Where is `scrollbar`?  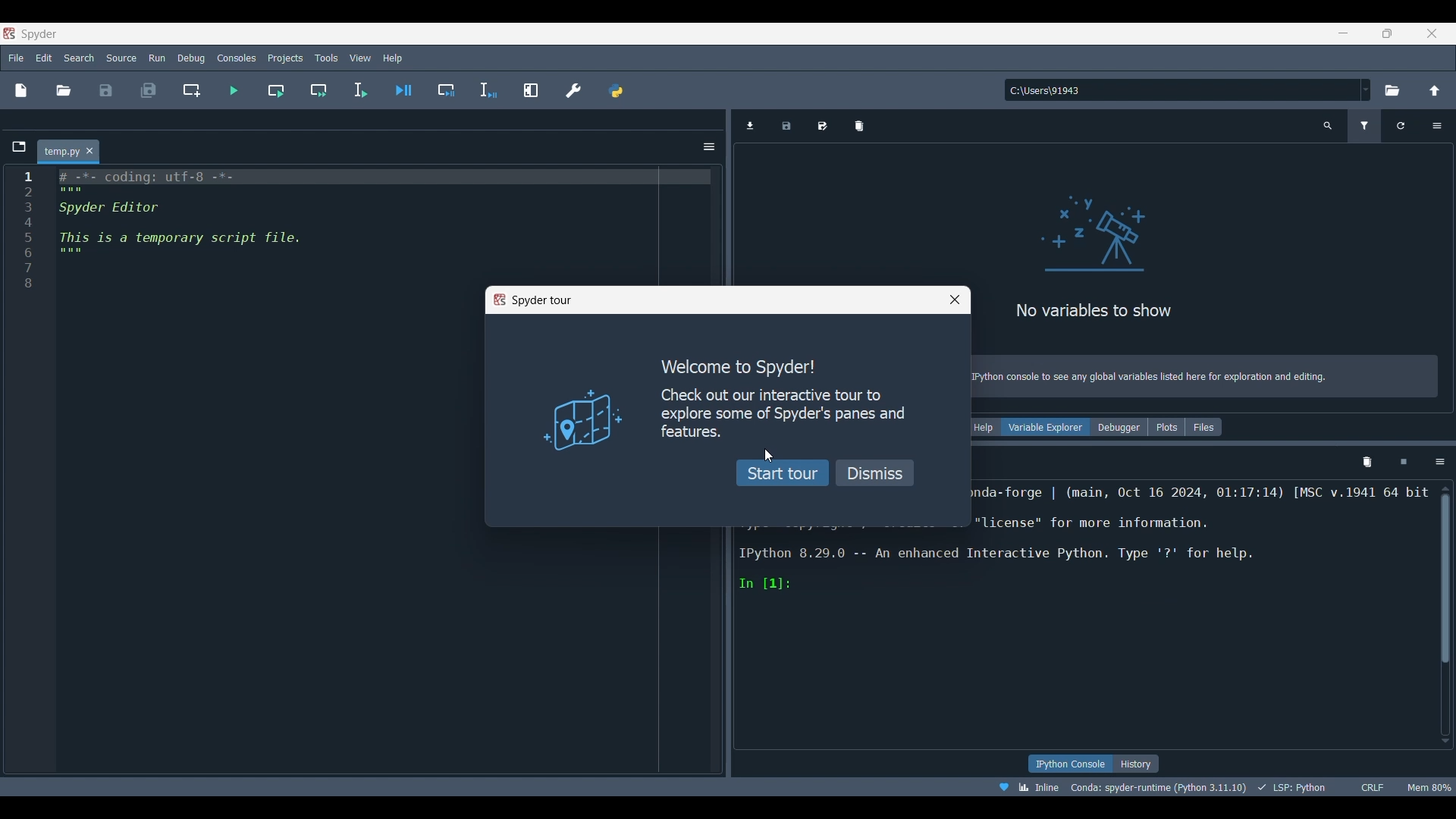 scrollbar is located at coordinates (1447, 582).